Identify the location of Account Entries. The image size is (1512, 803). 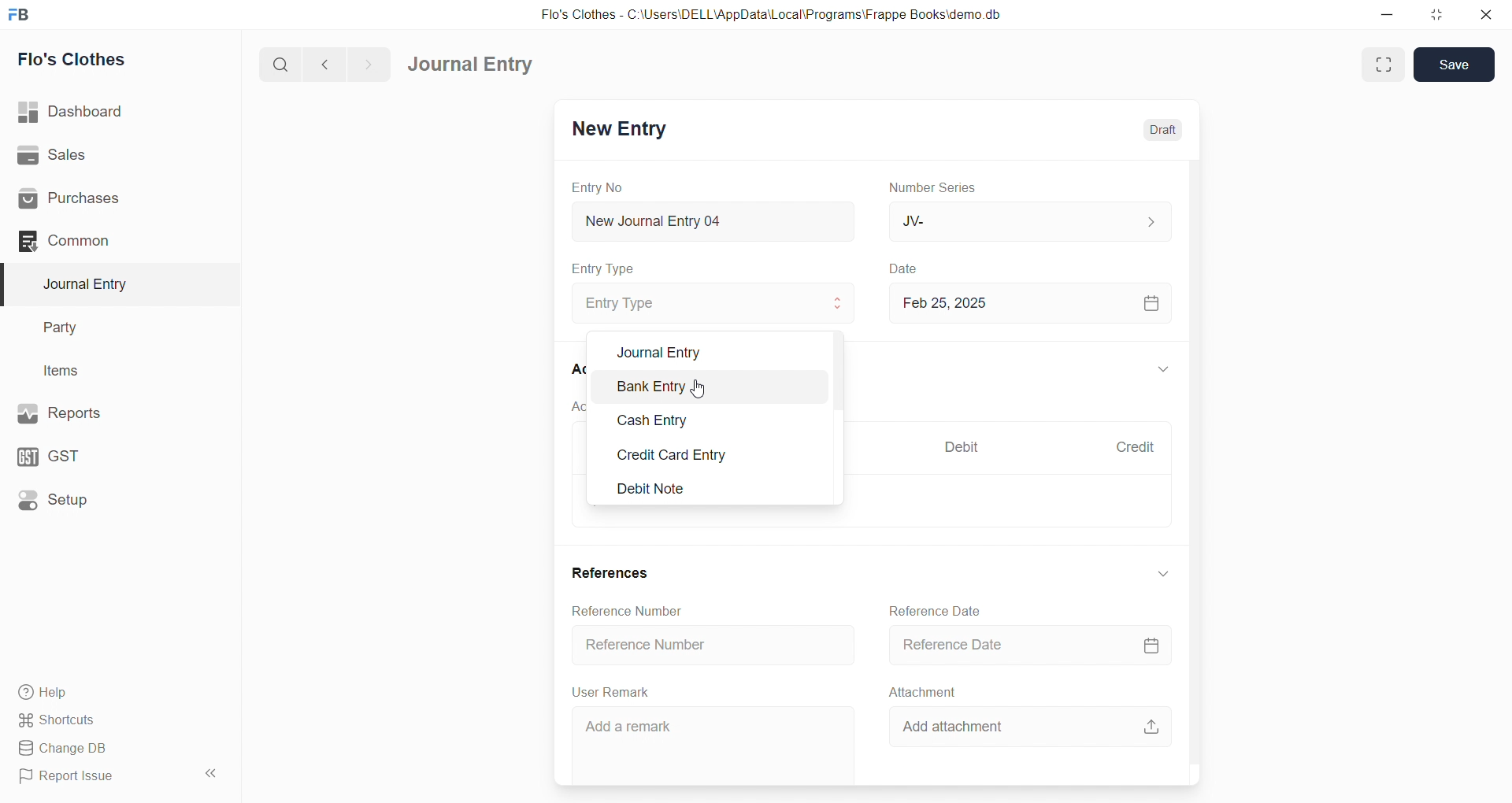
(573, 405).